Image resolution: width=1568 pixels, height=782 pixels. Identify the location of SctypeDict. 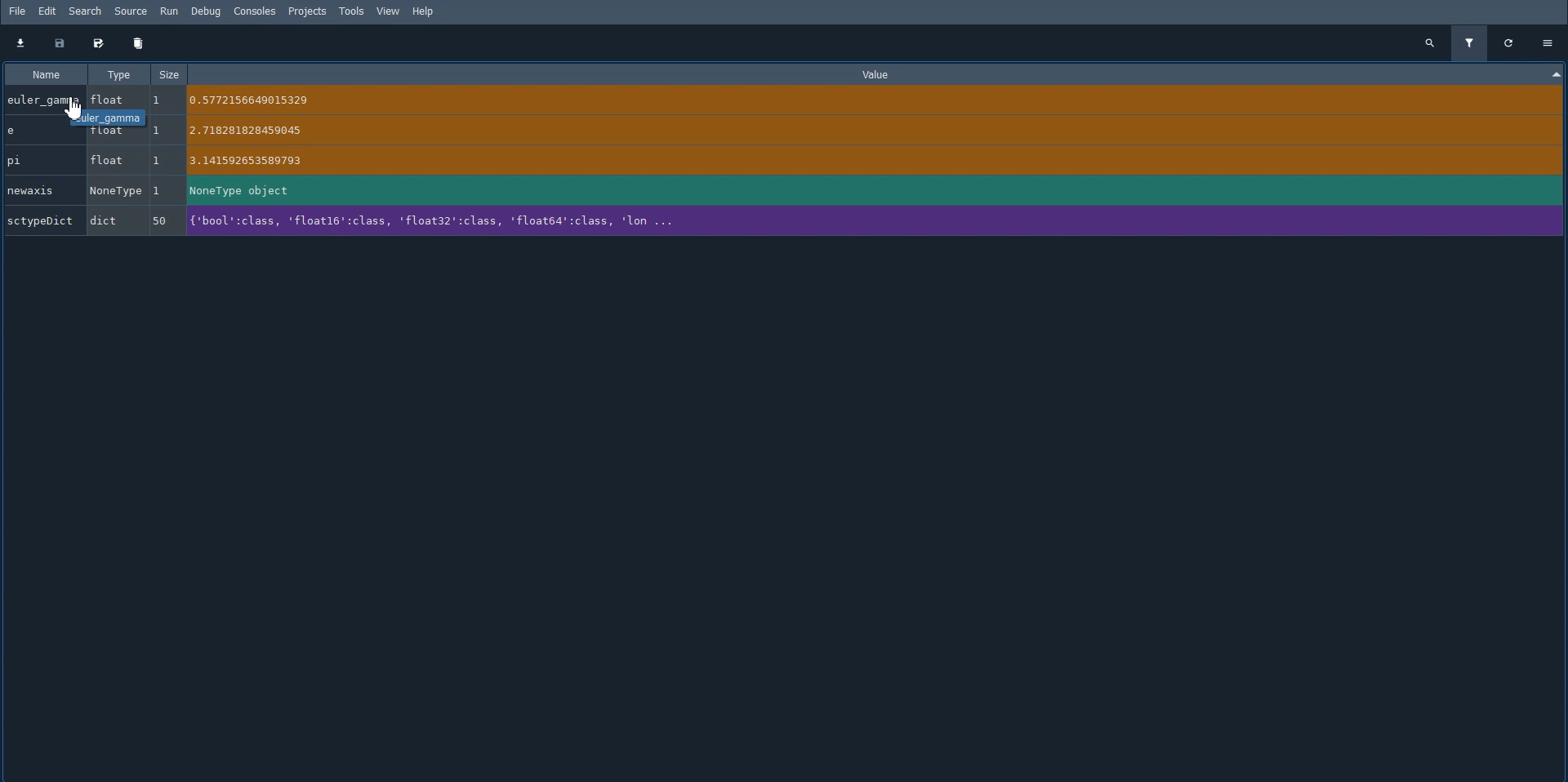
(412, 223).